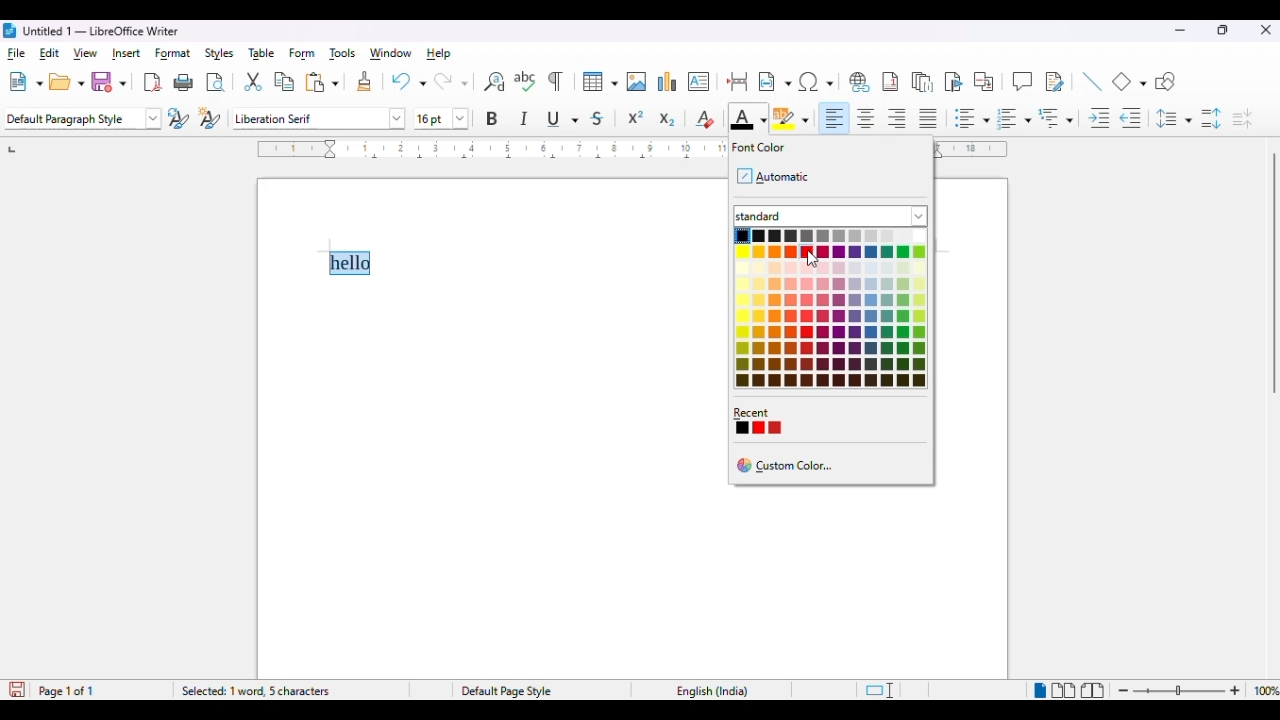 The height and width of the screenshot is (720, 1280). Describe the element at coordinates (714, 692) in the screenshot. I see `text language` at that location.